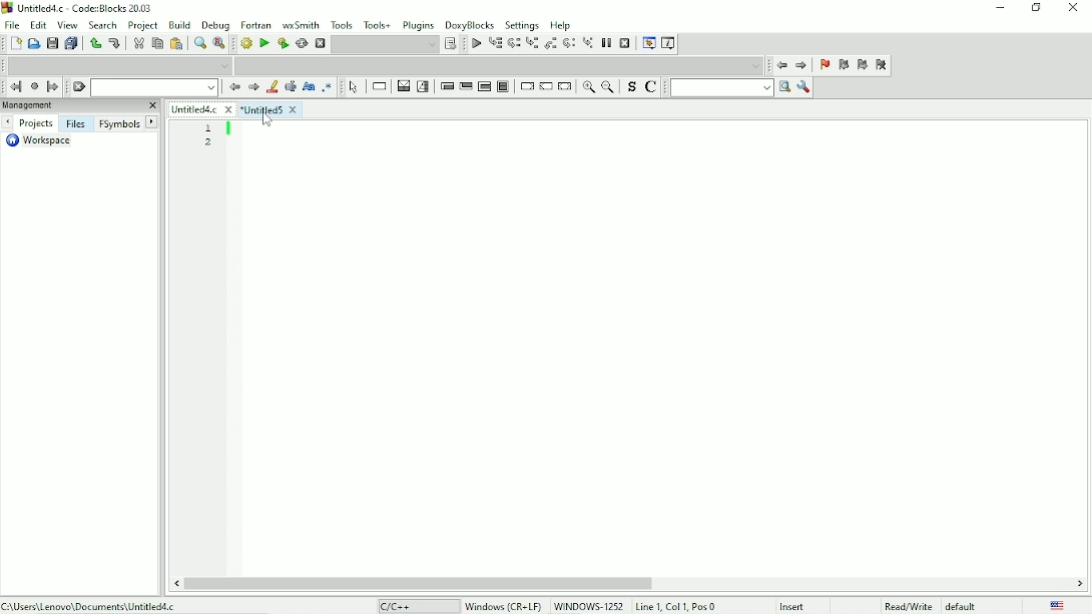 The image size is (1092, 614). I want to click on Selection, so click(423, 87).